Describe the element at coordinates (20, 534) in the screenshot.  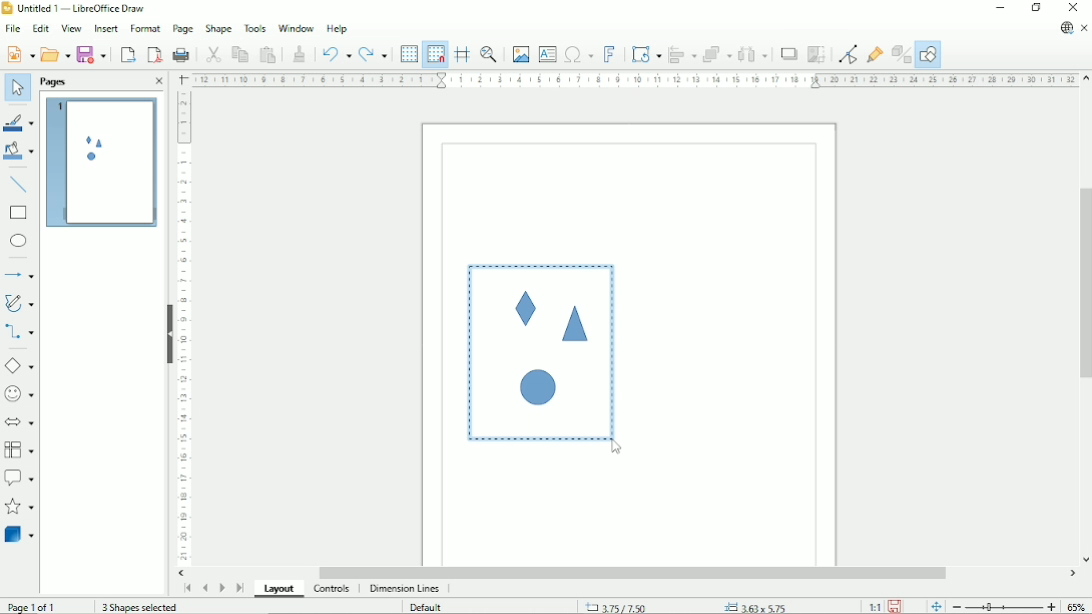
I see `3D Objects` at that location.